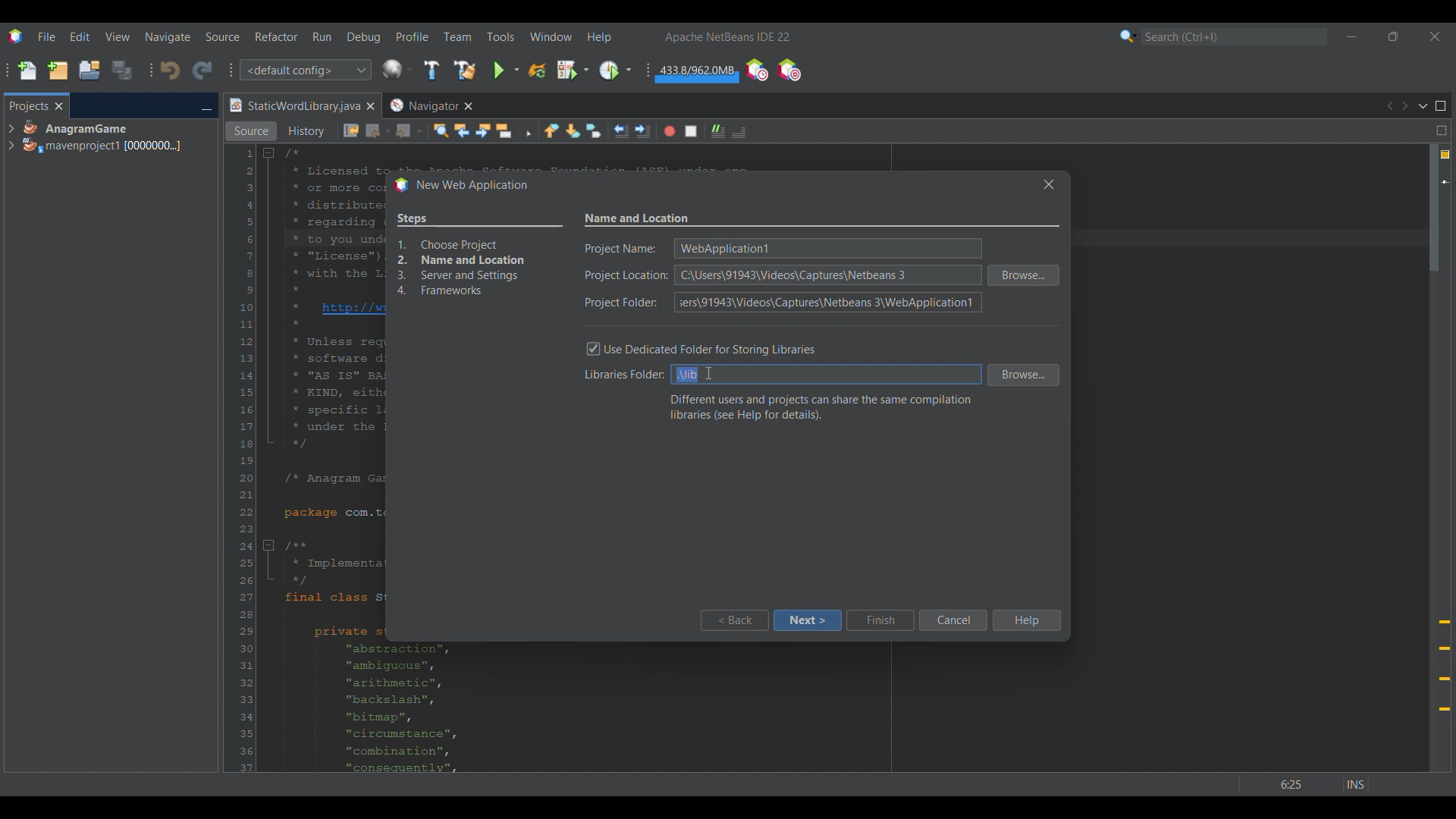 This screenshot has height=819, width=1456. Describe the element at coordinates (621, 131) in the screenshot. I see `Shift line left` at that location.